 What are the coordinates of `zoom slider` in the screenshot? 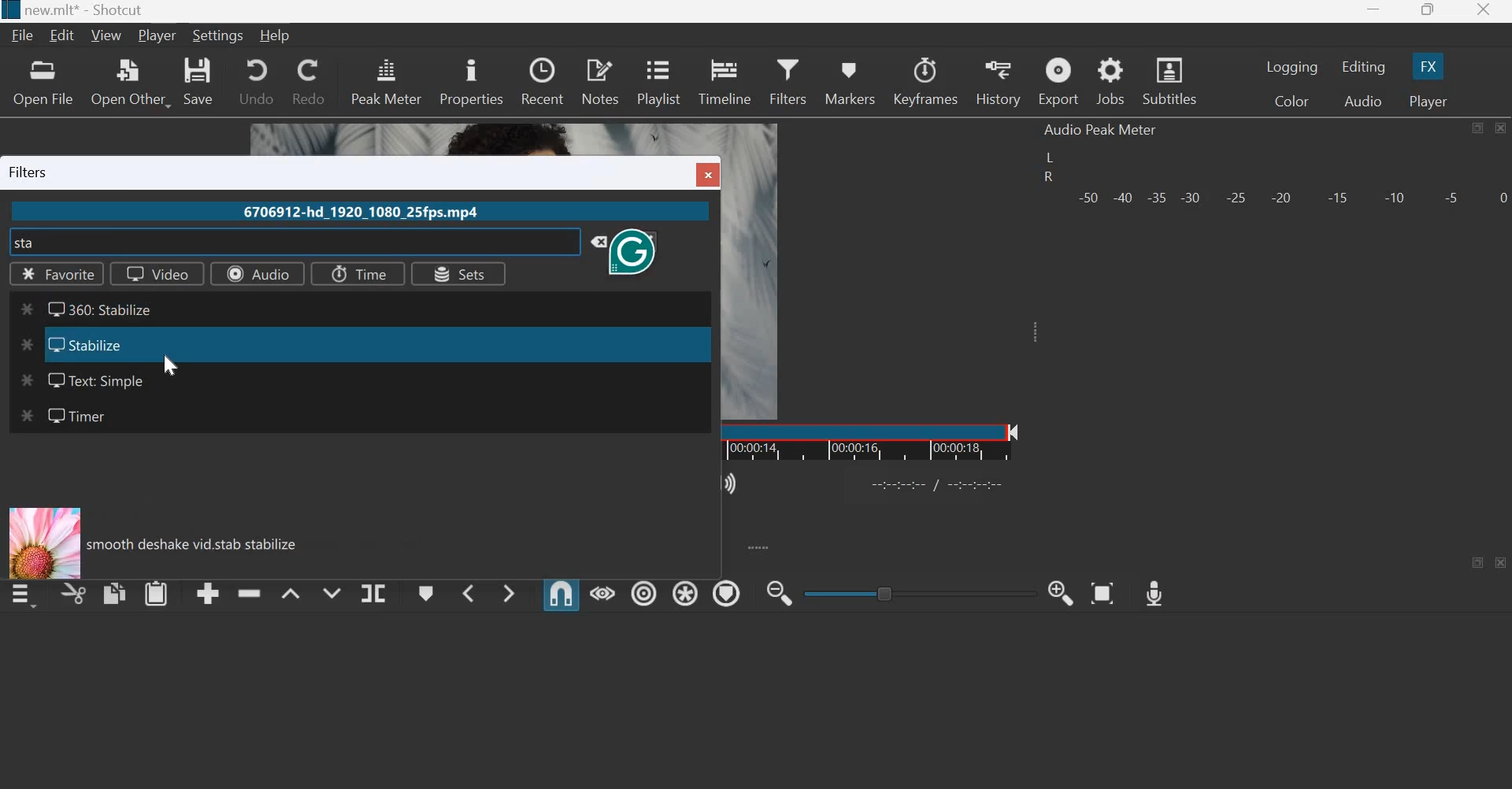 It's located at (913, 593).